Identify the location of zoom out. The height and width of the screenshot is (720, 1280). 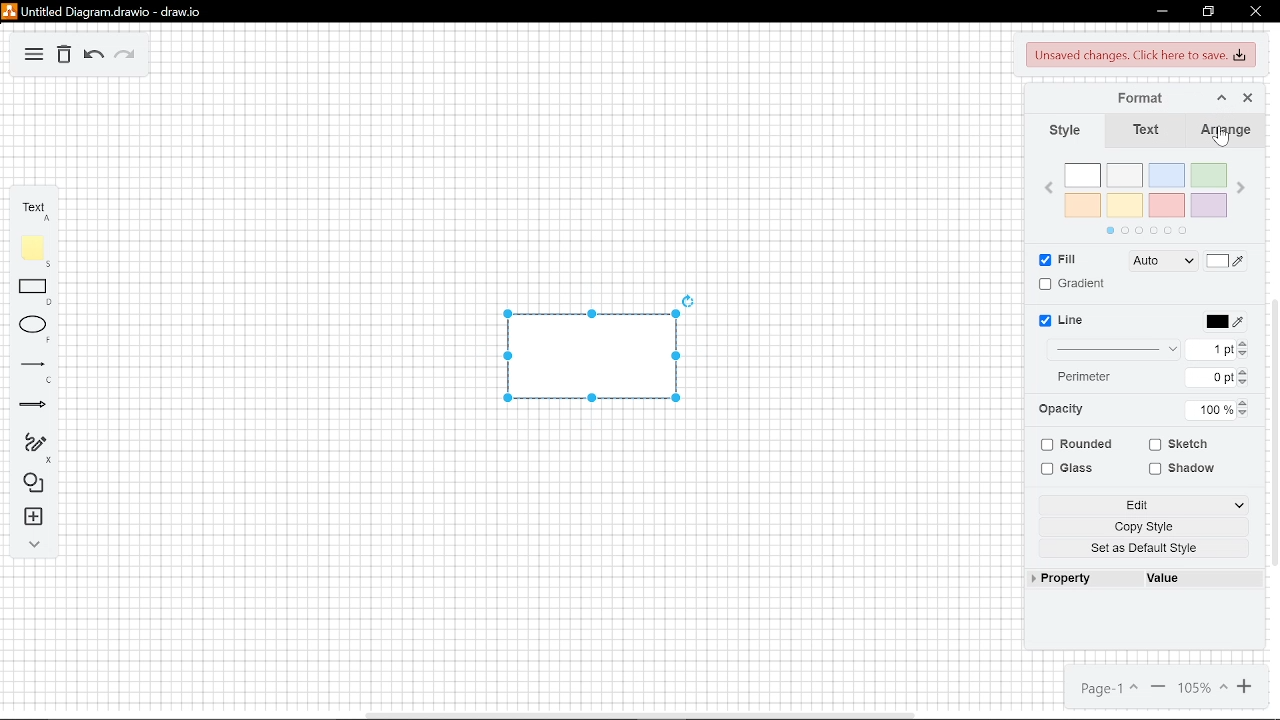
(1158, 685).